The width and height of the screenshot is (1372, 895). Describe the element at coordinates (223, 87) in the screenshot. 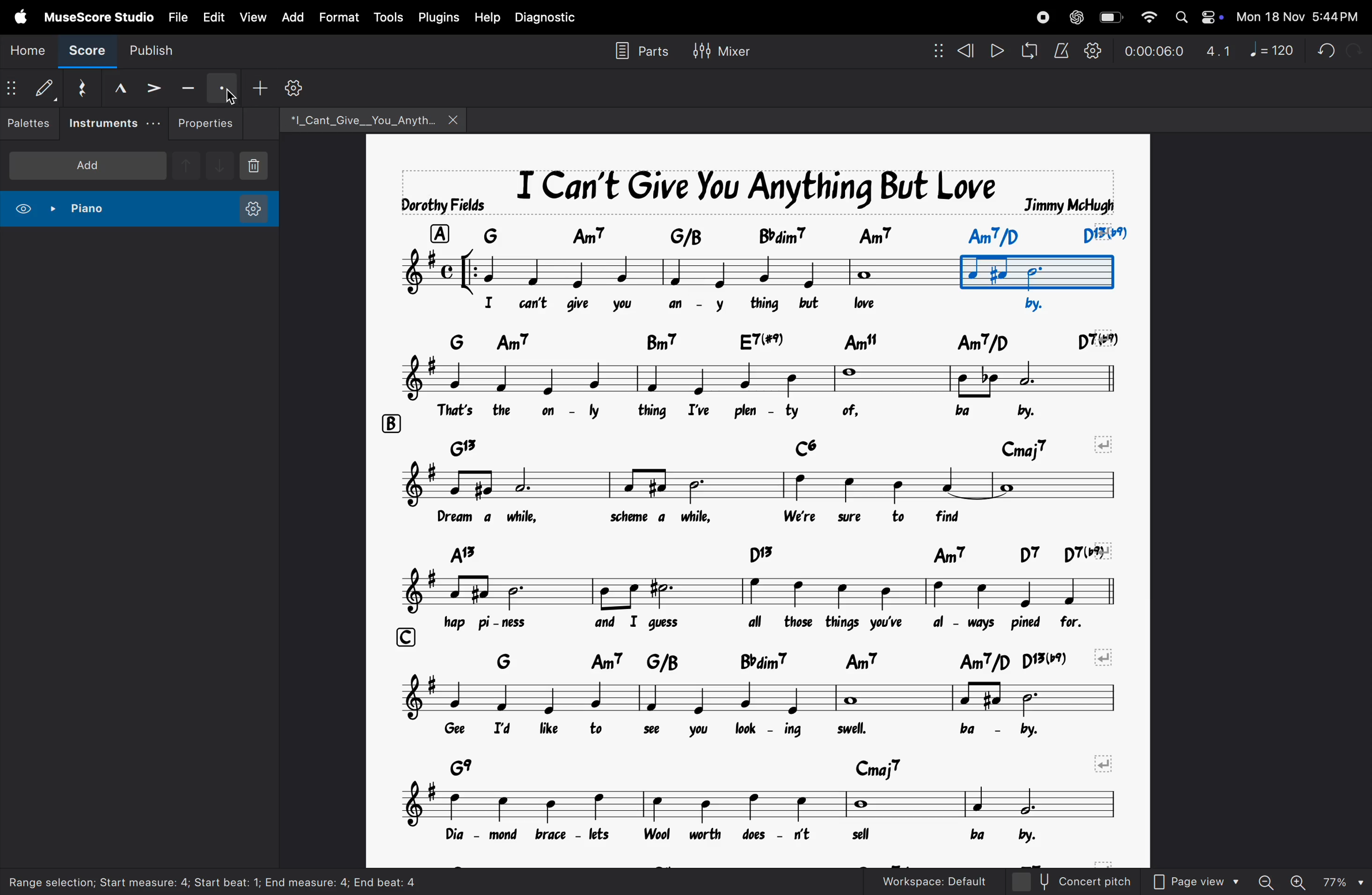

I see `staccato` at that location.